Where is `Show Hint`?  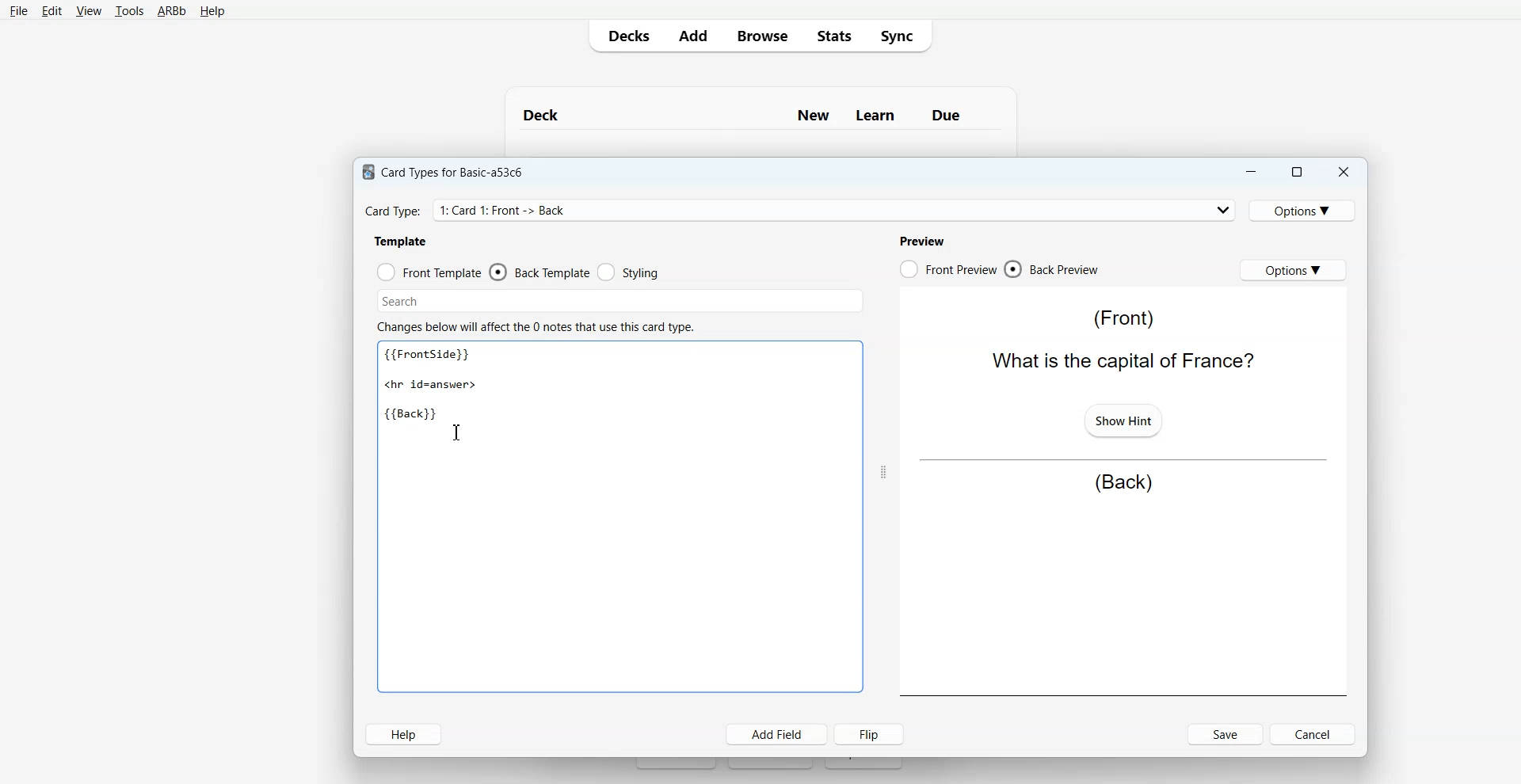
Show Hint is located at coordinates (1122, 419).